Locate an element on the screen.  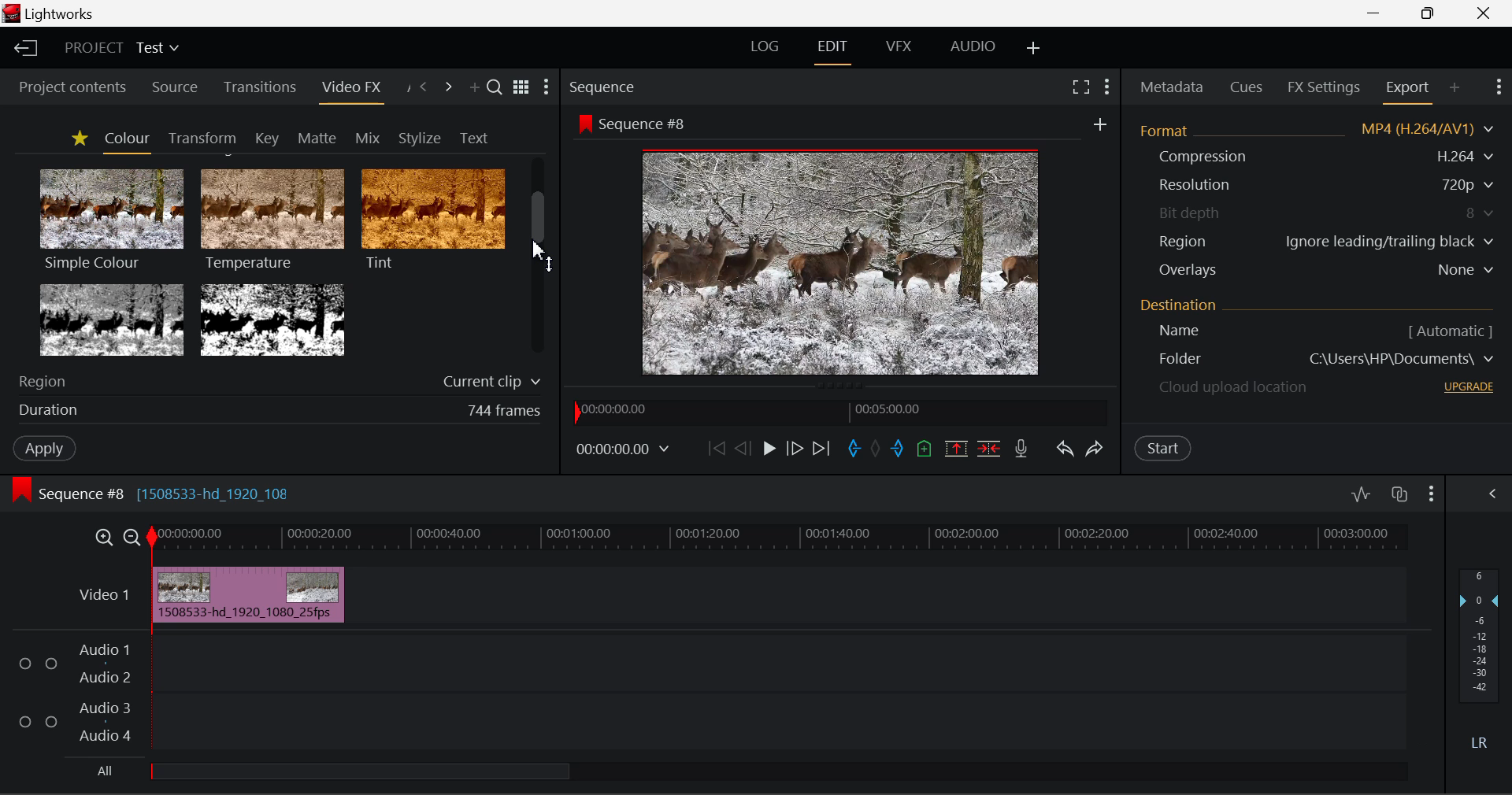
MP4 (H.264/AV1)  is located at coordinates (1419, 129).